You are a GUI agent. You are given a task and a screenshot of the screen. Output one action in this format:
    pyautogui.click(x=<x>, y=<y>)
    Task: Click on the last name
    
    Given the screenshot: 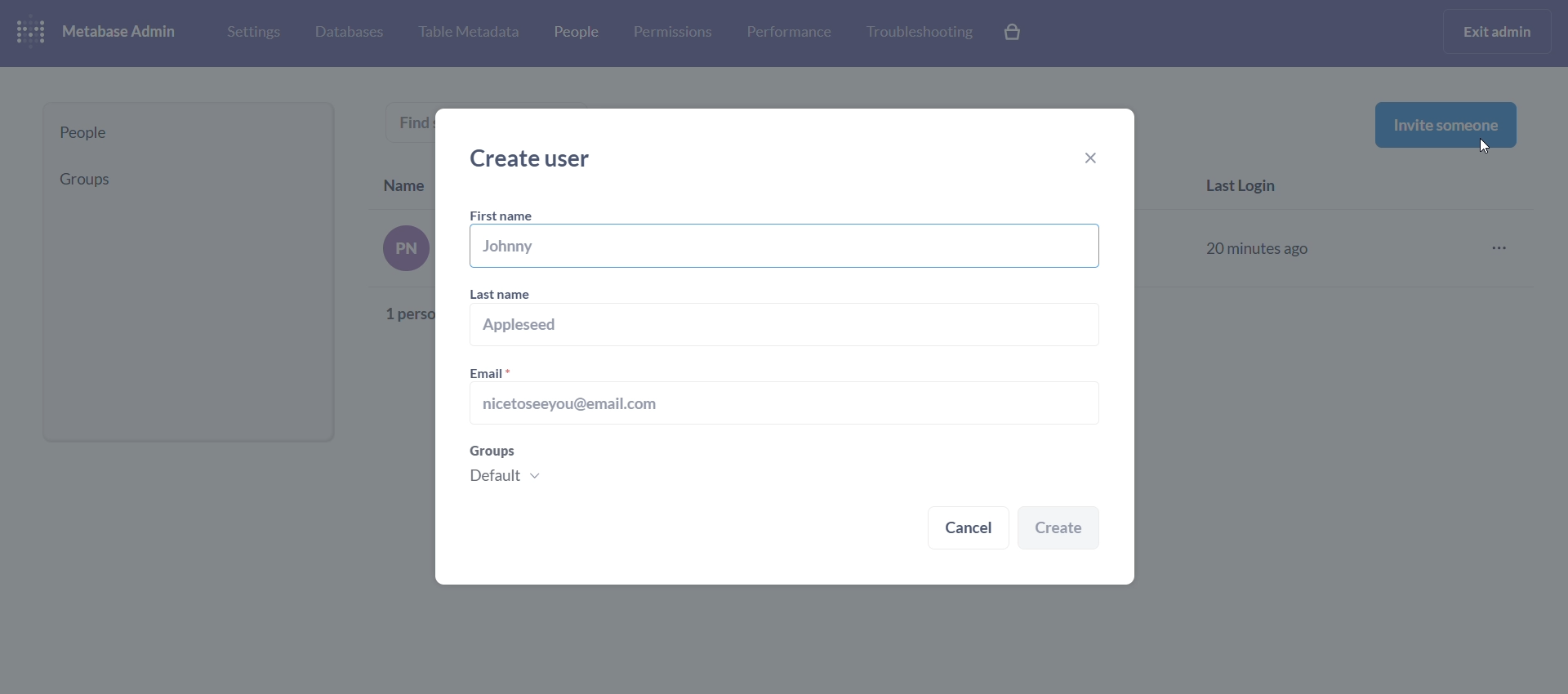 What is the action you would take?
    pyautogui.click(x=786, y=320)
    